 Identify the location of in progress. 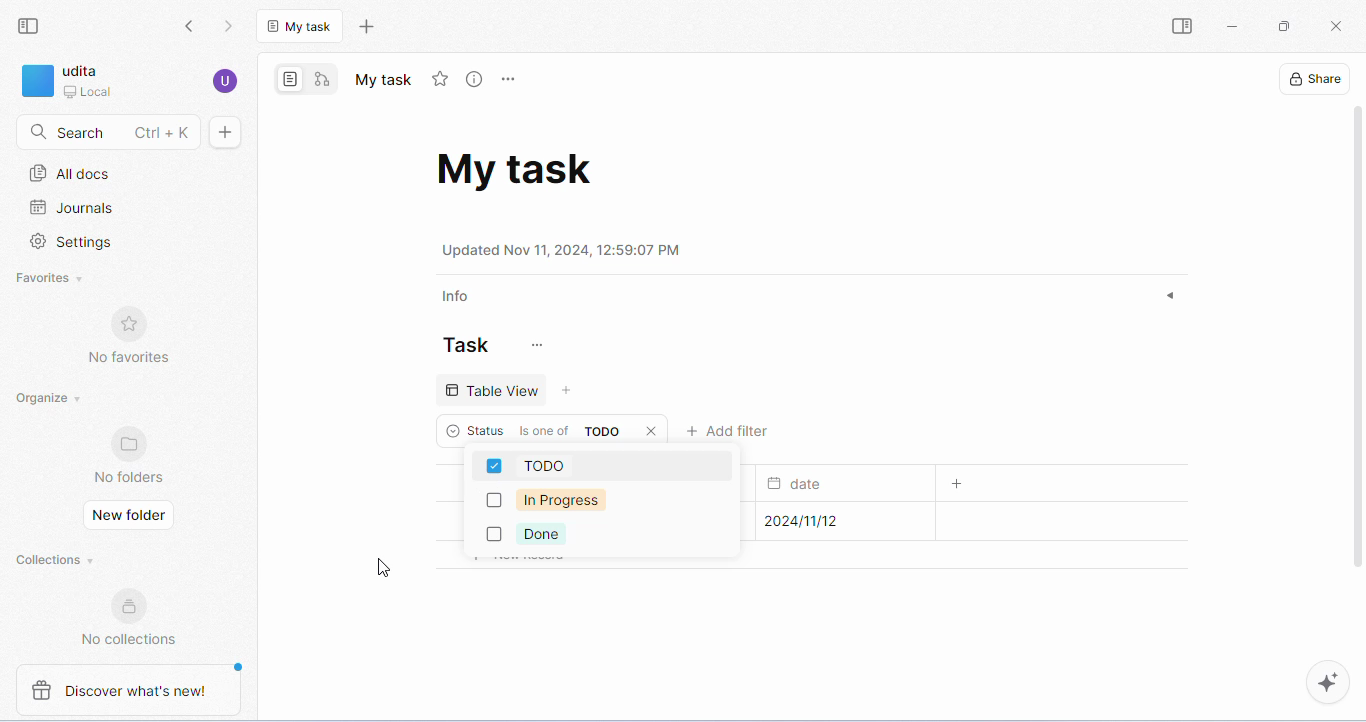
(561, 499).